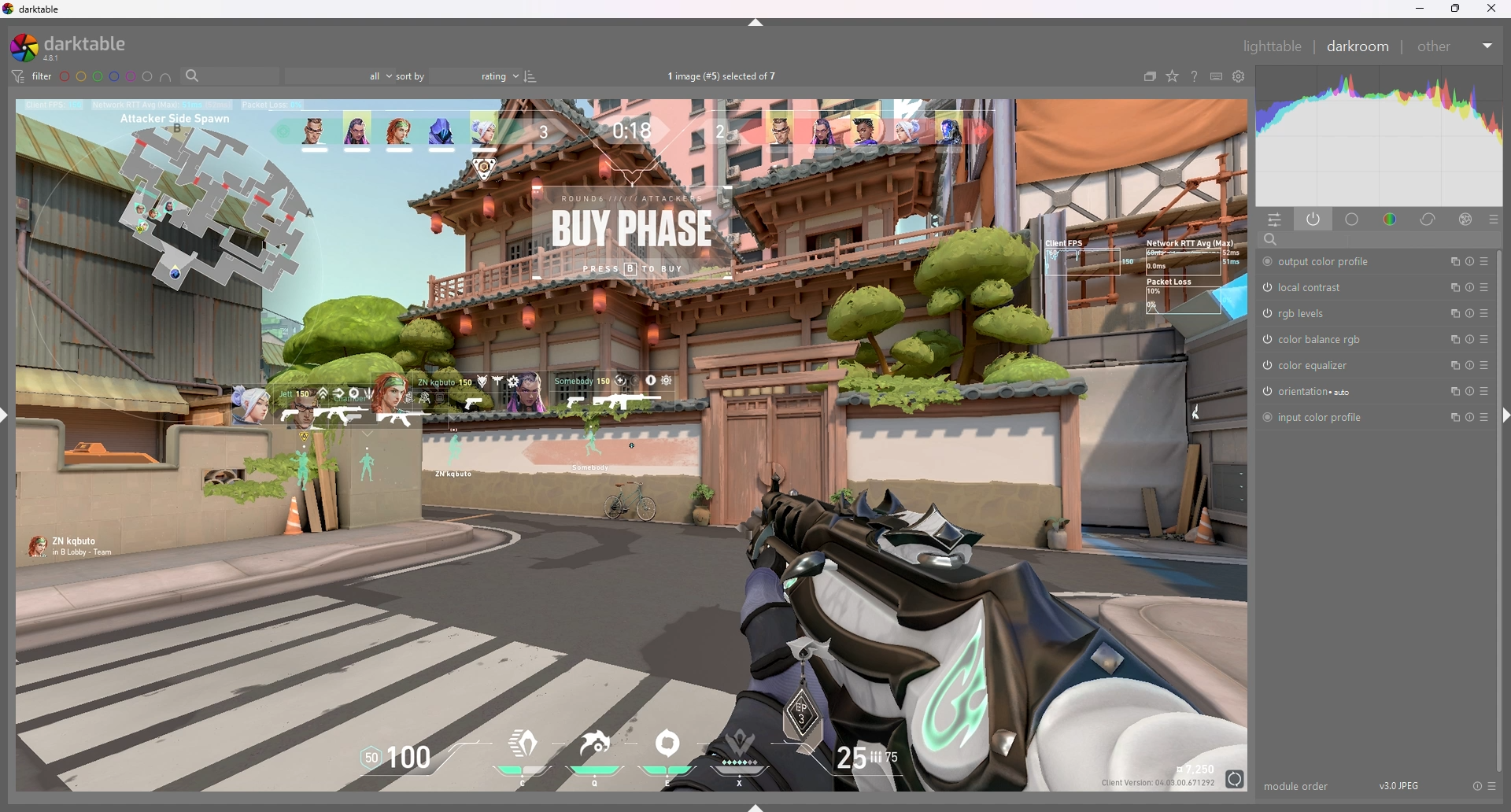 Image resolution: width=1511 pixels, height=812 pixels. I want to click on effect, so click(1465, 219).